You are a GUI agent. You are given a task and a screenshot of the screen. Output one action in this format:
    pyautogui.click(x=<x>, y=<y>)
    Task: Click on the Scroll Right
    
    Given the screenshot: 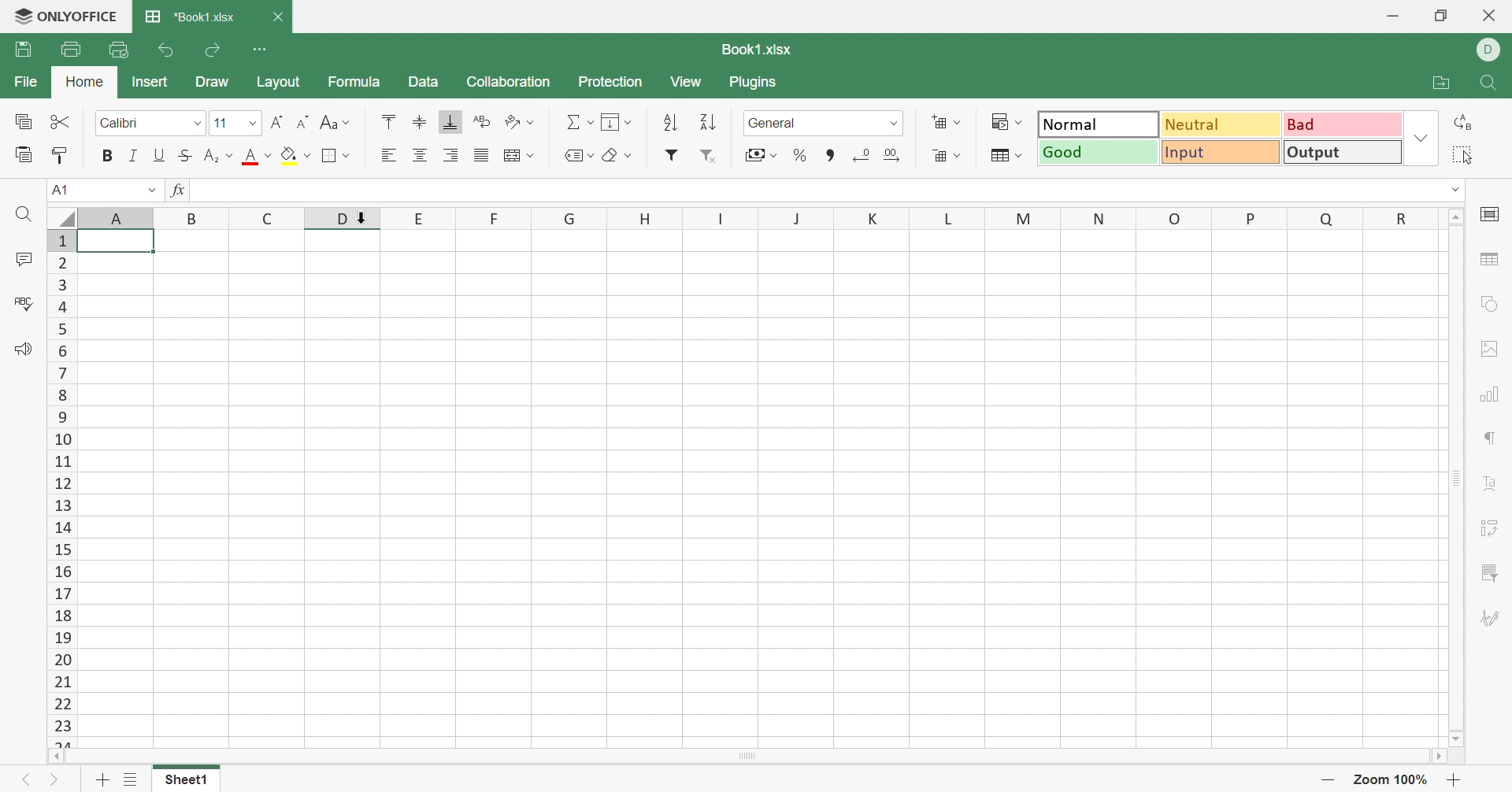 What is the action you would take?
    pyautogui.click(x=1436, y=757)
    